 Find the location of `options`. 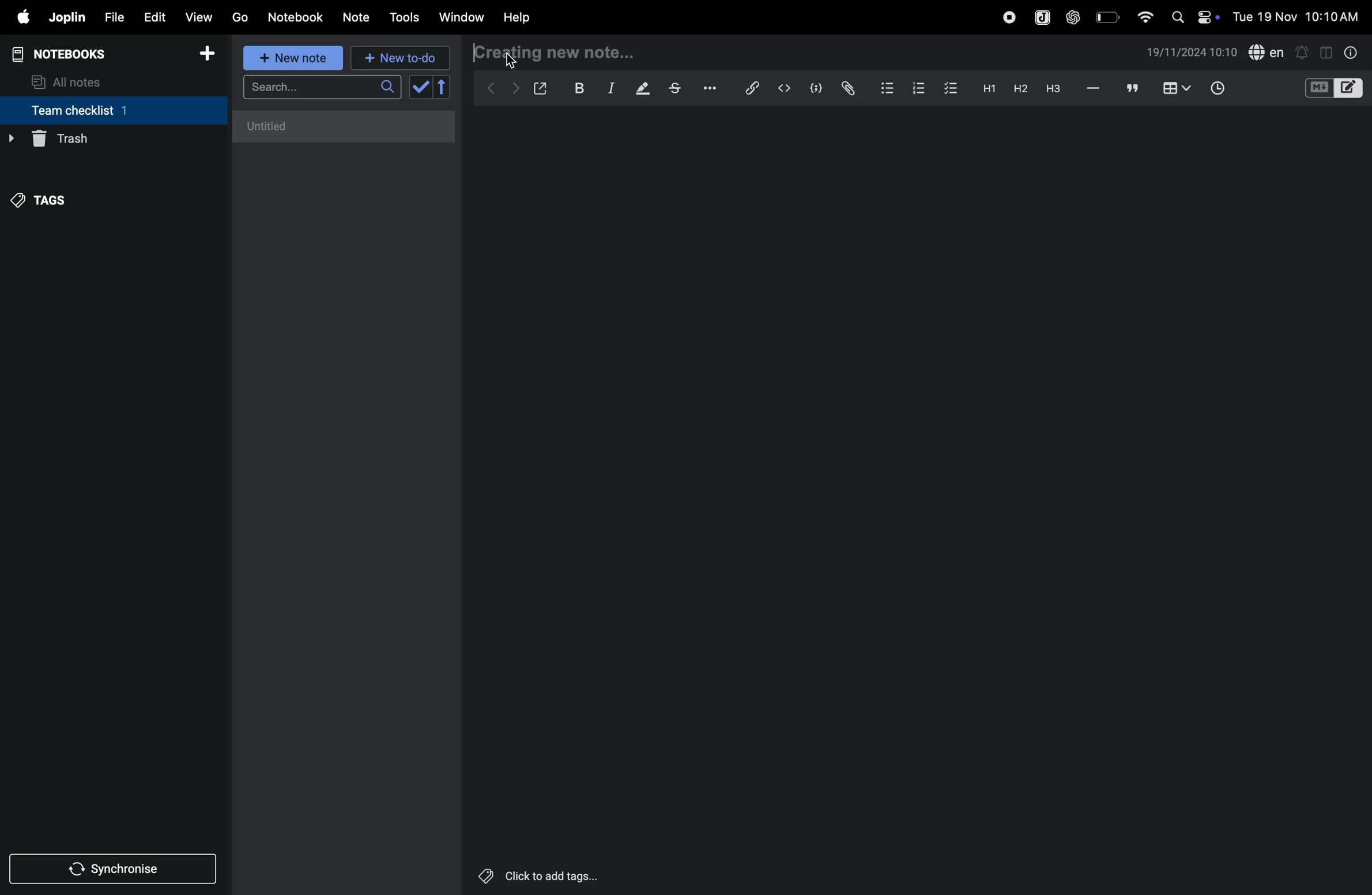

options is located at coordinates (708, 88).